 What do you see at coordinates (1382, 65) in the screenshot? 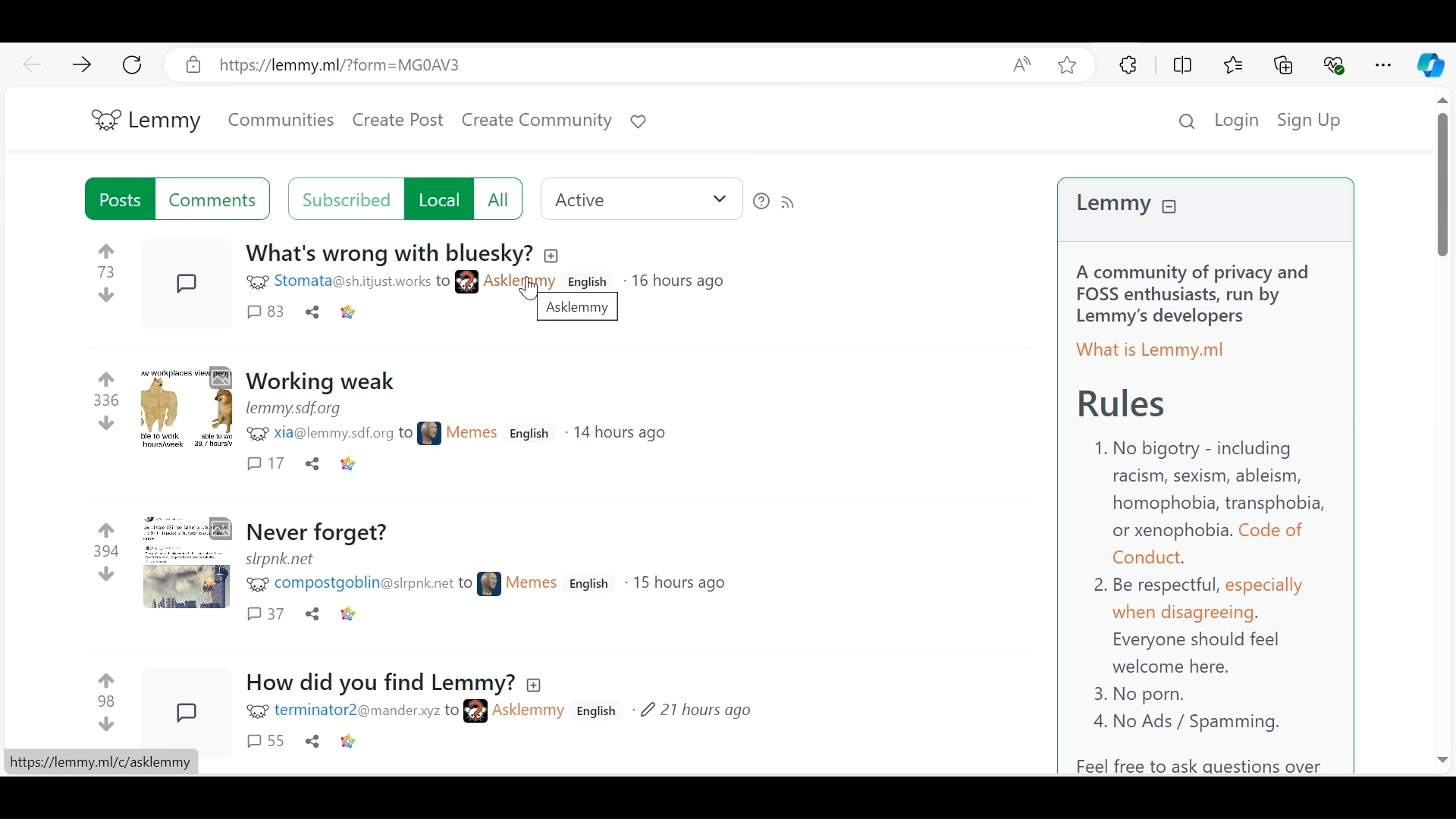
I see `settings and more` at bounding box center [1382, 65].